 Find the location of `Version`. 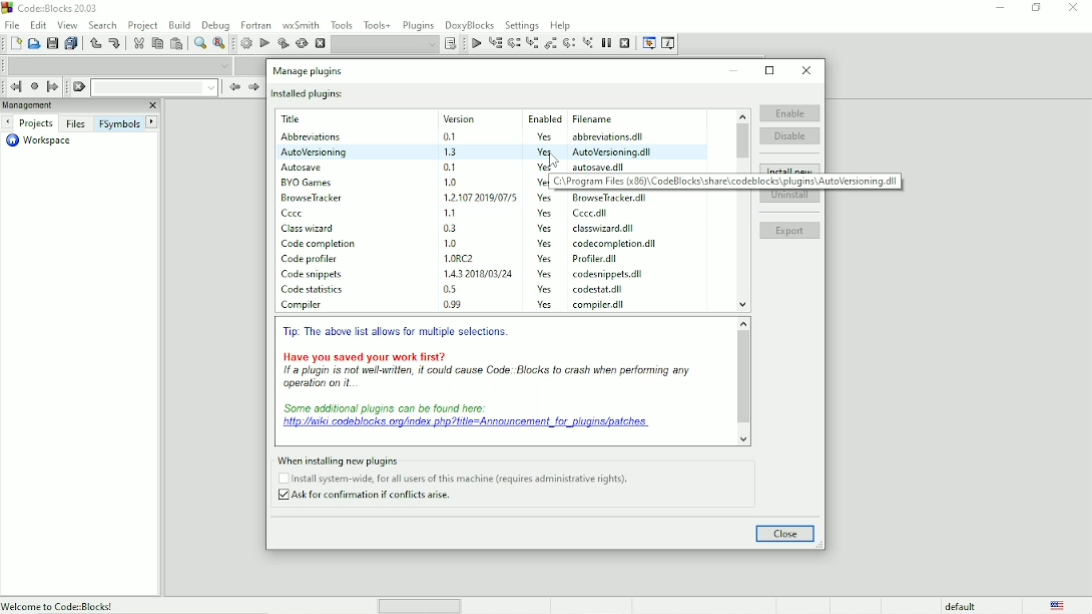

Version is located at coordinates (462, 119).